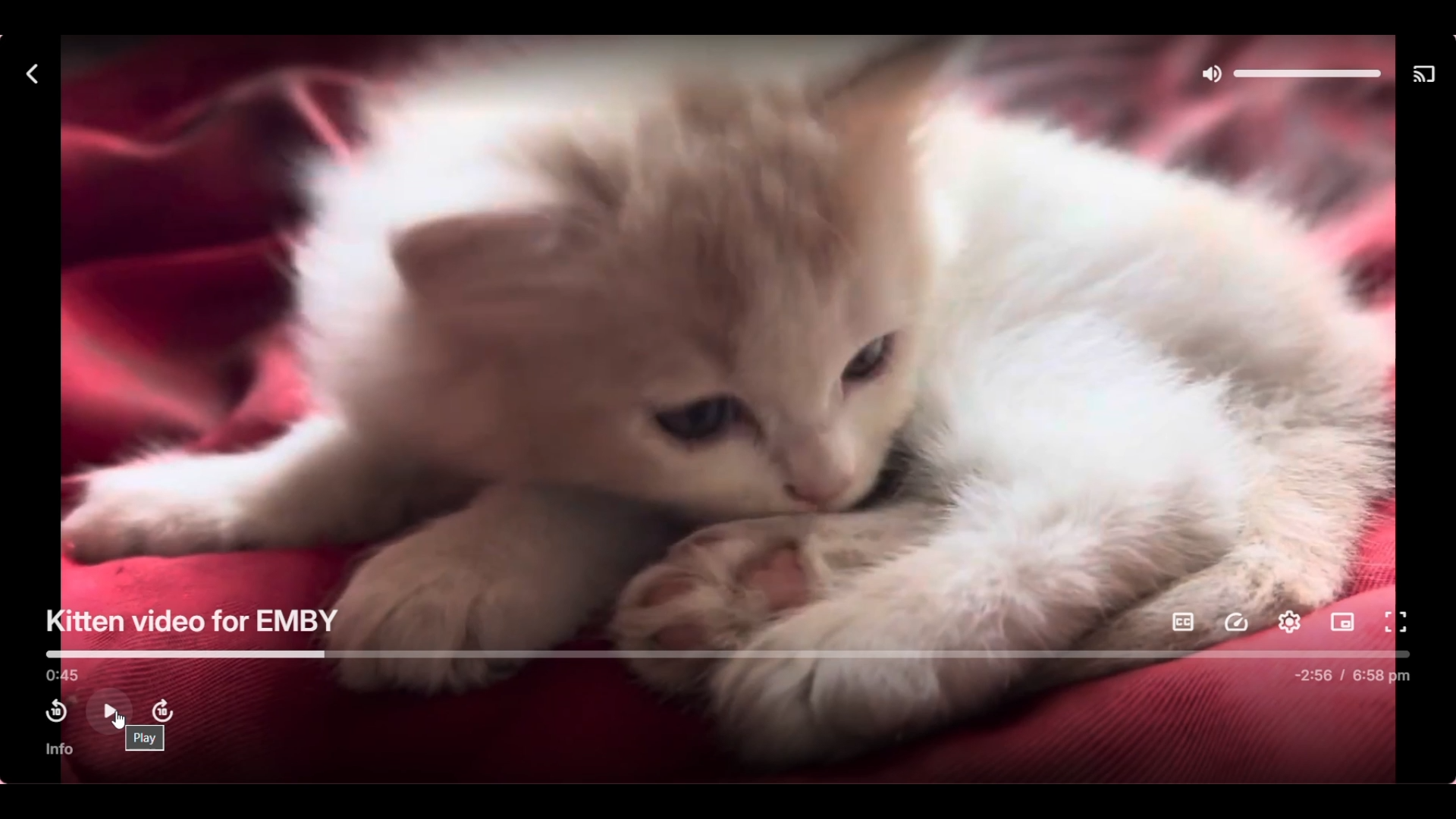  What do you see at coordinates (146, 739) in the screenshot?
I see `play` at bounding box center [146, 739].